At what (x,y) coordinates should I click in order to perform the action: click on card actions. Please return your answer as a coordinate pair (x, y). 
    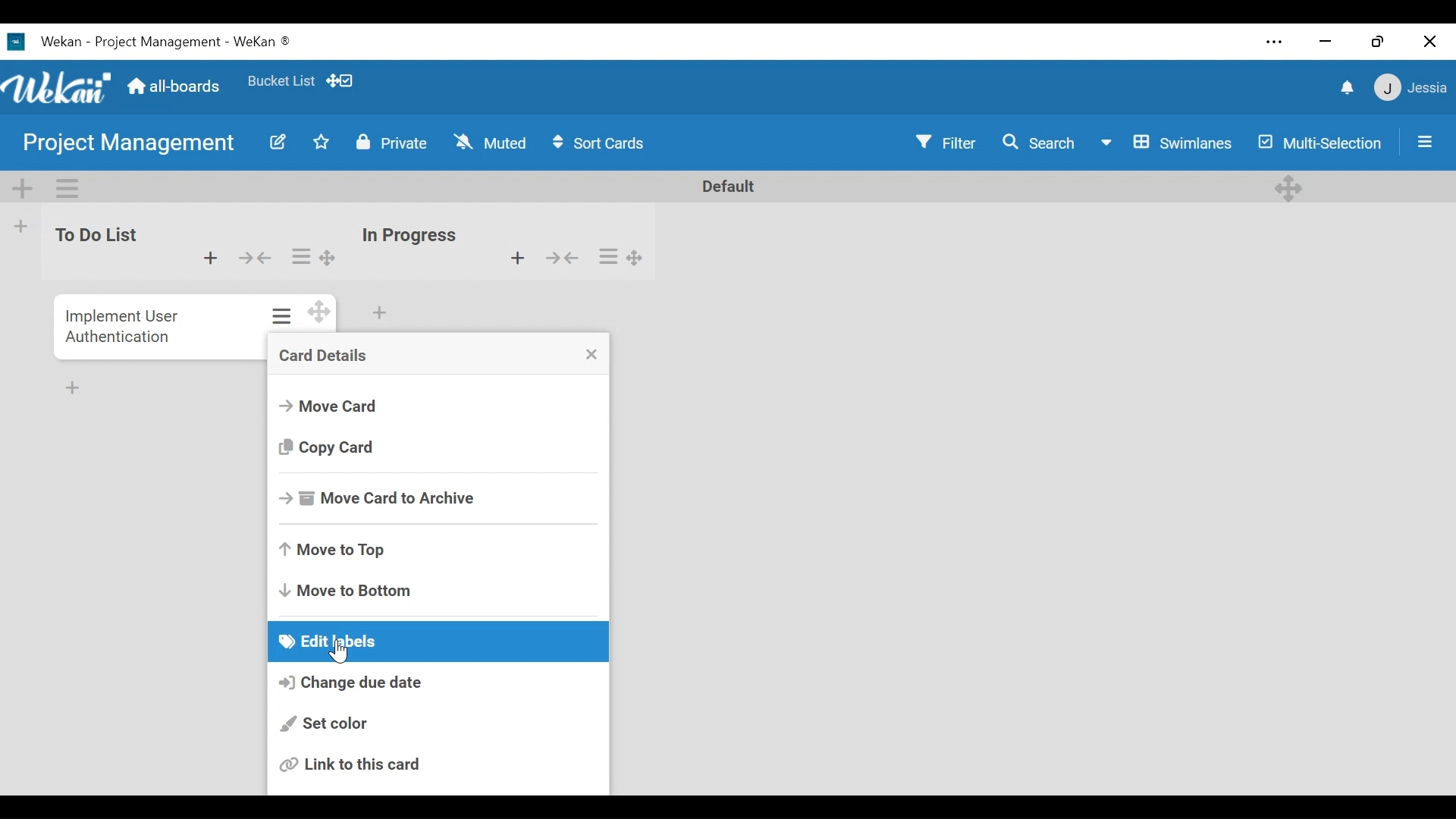
    Looking at the image, I should click on (282, 315).